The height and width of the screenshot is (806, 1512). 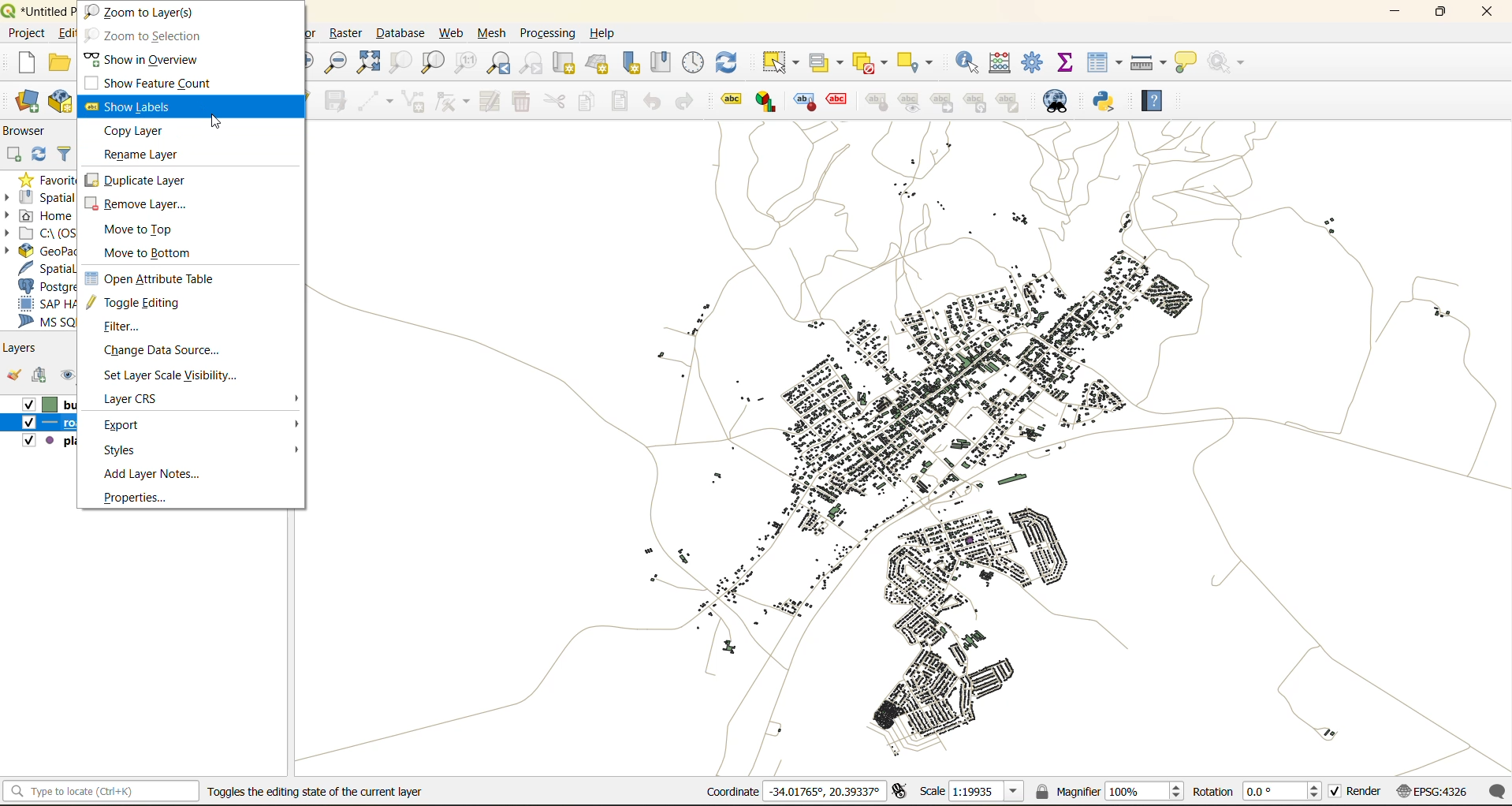 What do you see at coordinates (829, 62) in the screenshot?
I see `select value` at bounding box center [829, 62].